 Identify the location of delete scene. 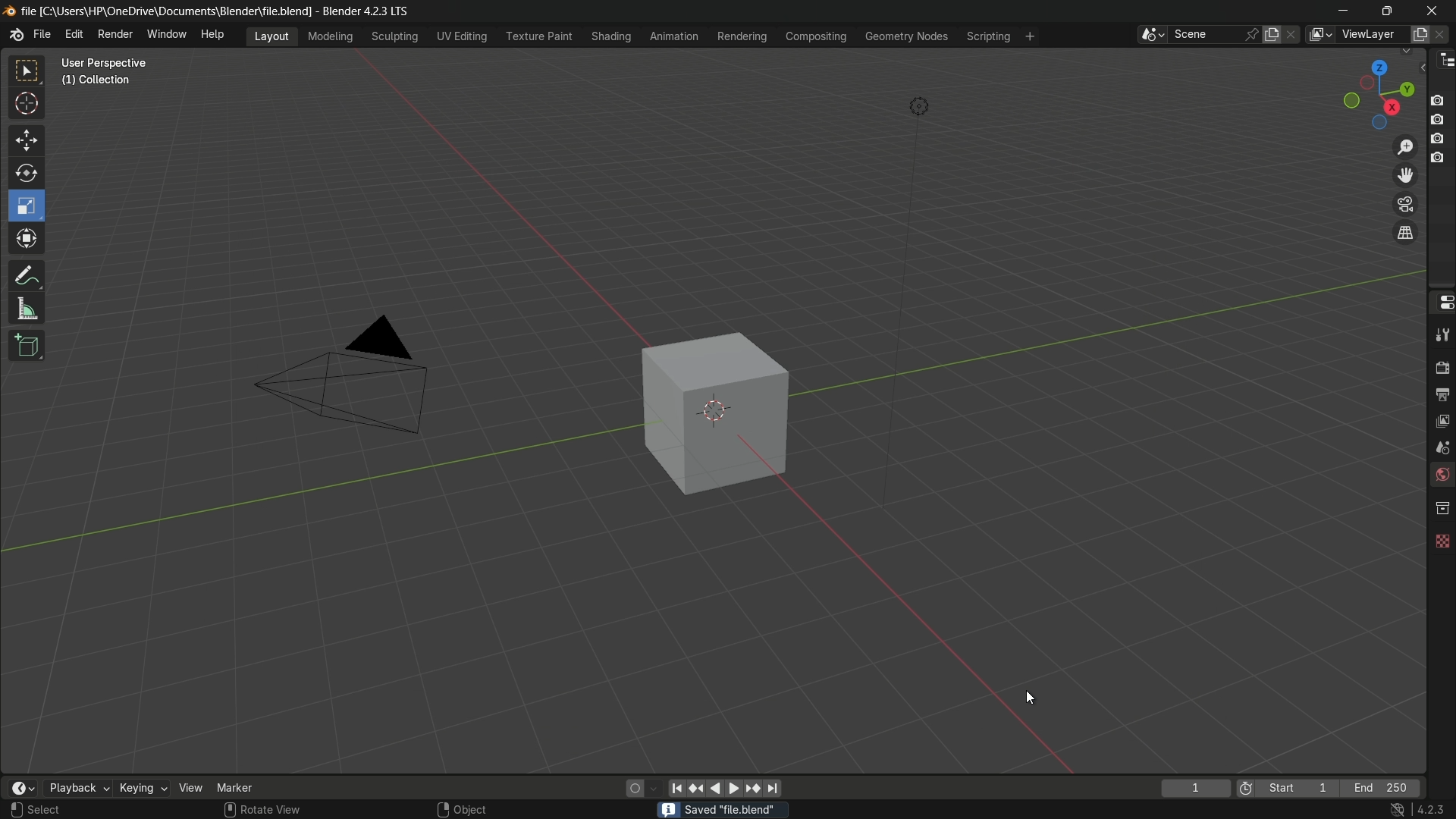
(1293, 34).